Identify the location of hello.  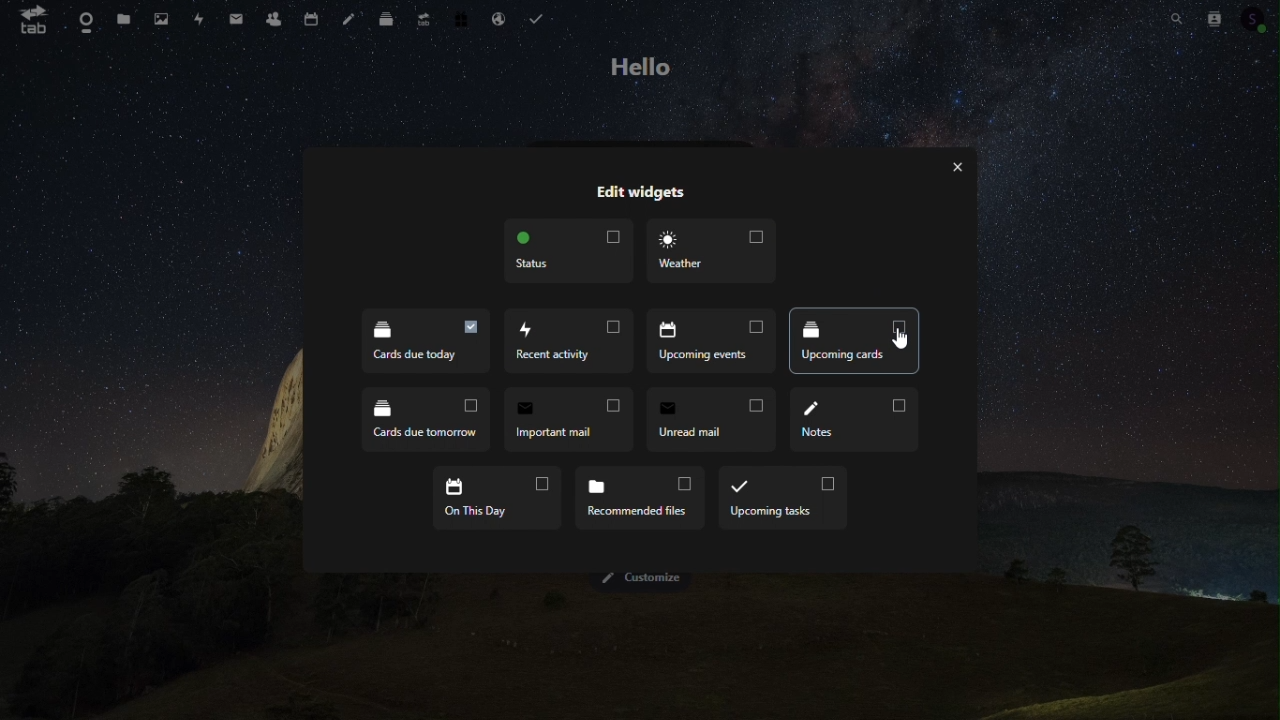
(645, 67).